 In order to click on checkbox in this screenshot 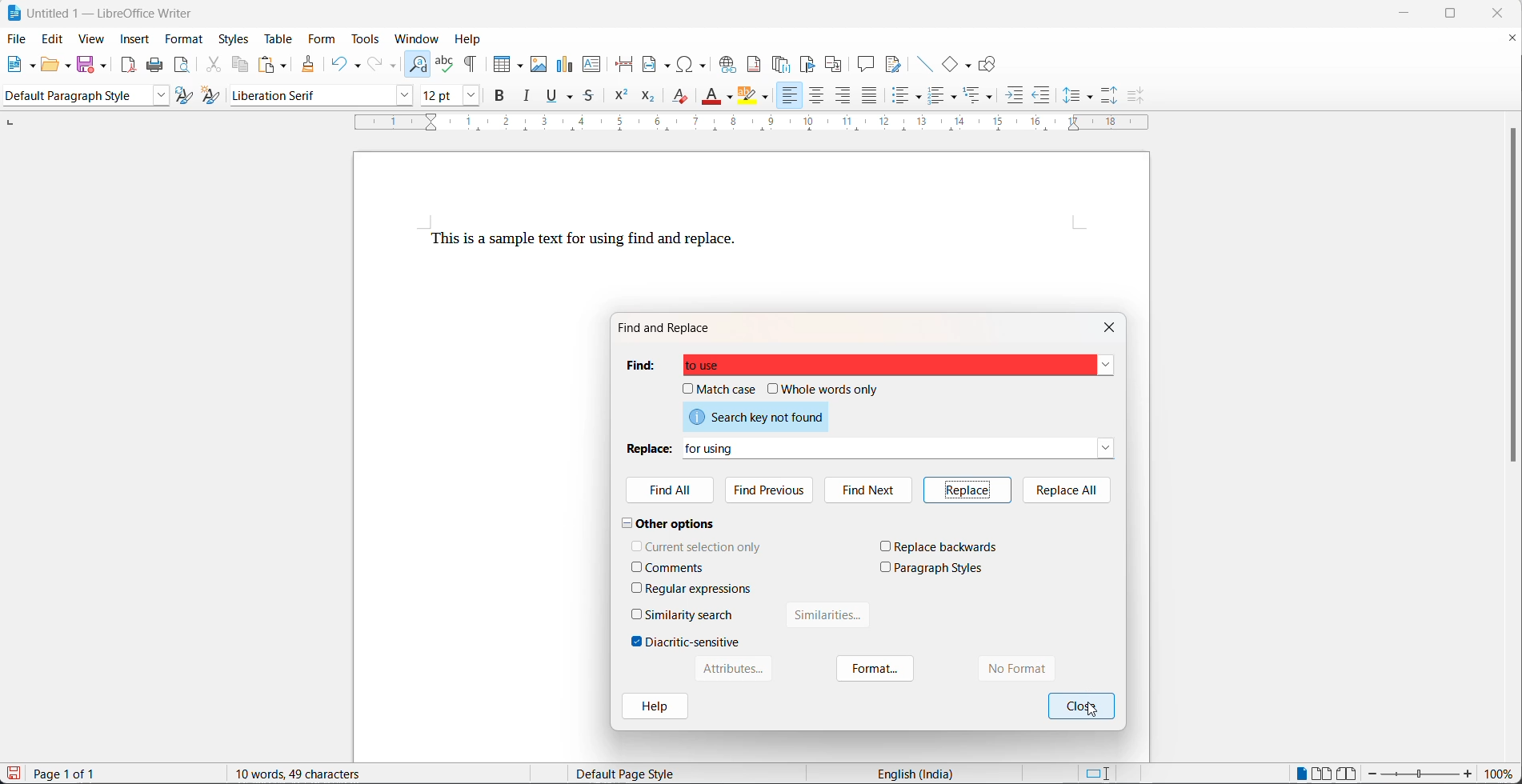, I will do `click(637, 566)`.